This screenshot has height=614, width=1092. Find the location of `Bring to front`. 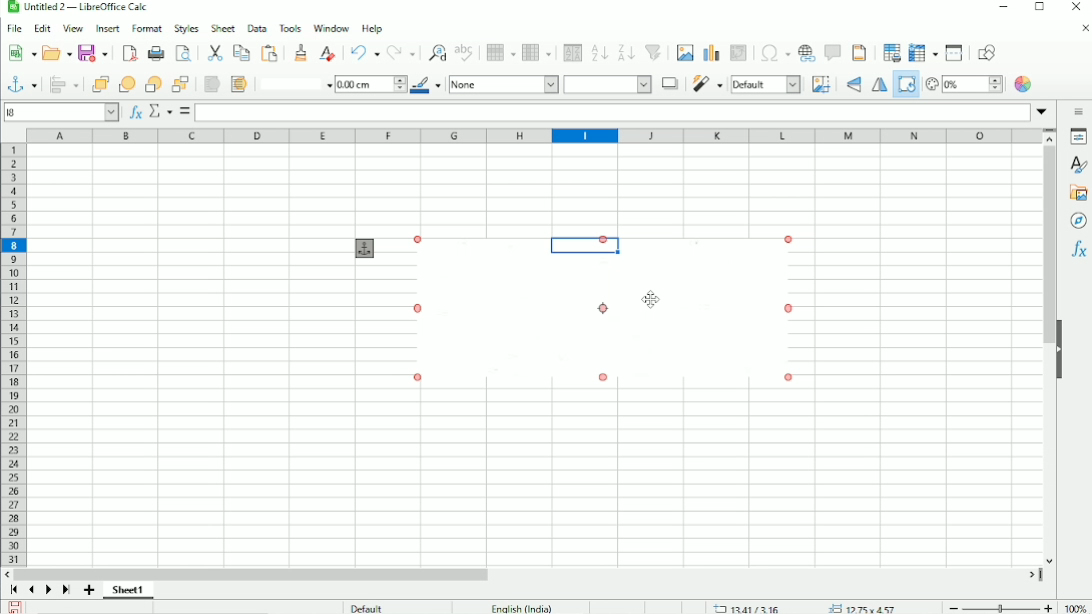

Bring to front is located at coordinates (96, 84).